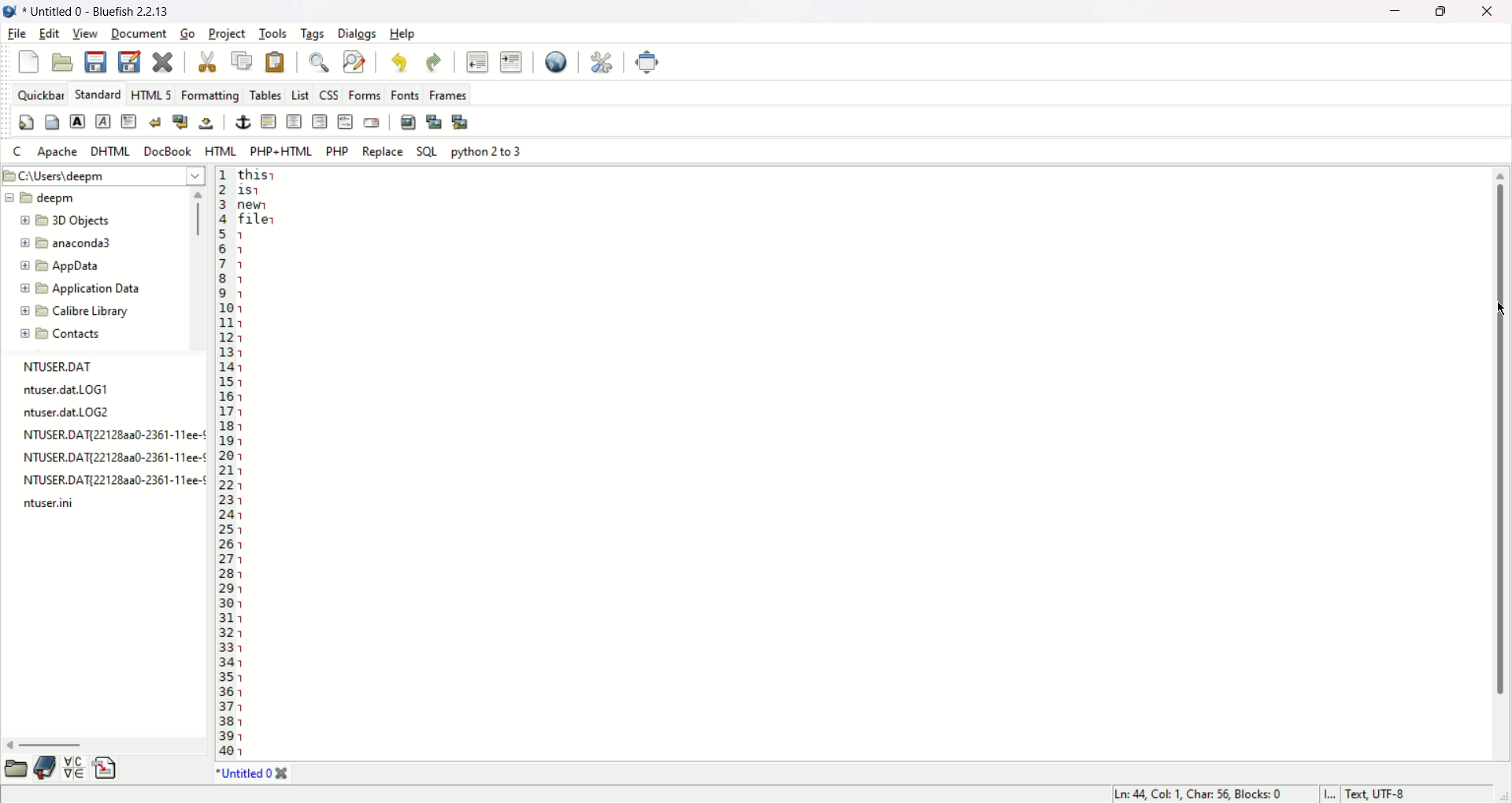  Describe the element at coordinates (180, 122) in the screenshot. I see `break and clear` at that location.